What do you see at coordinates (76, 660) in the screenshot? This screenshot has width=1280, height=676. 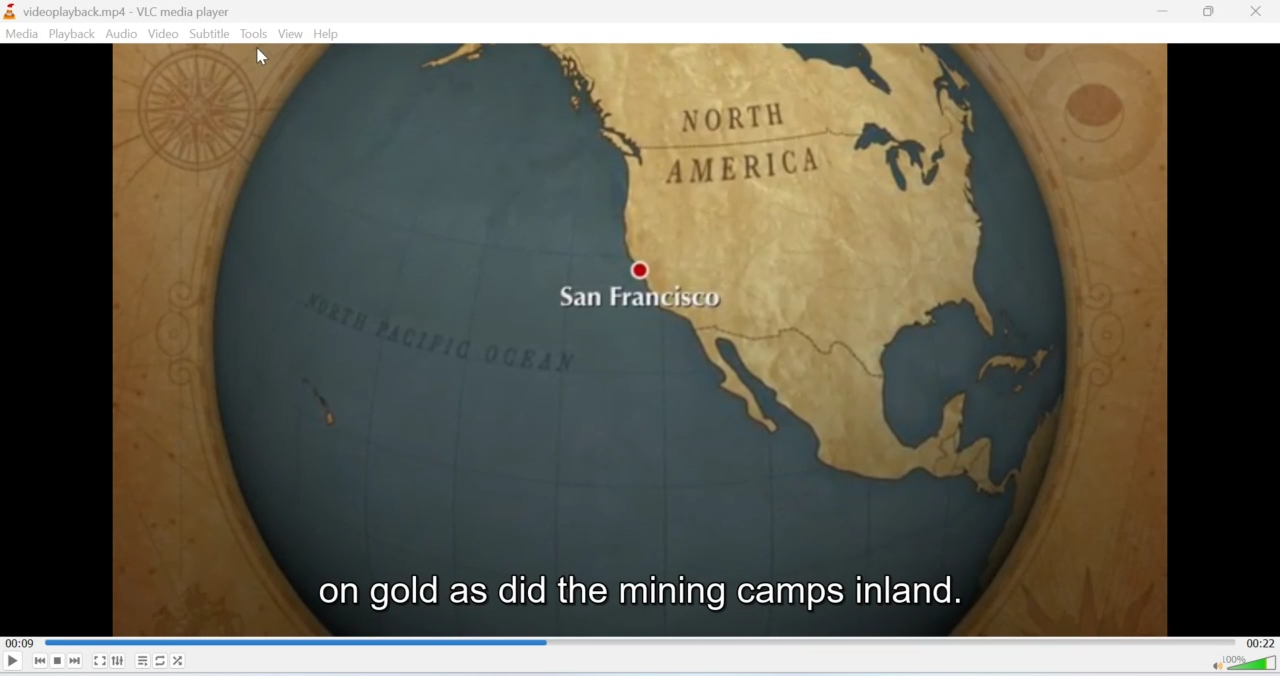 I see `Seek forward` at bounding box center [76, 660].